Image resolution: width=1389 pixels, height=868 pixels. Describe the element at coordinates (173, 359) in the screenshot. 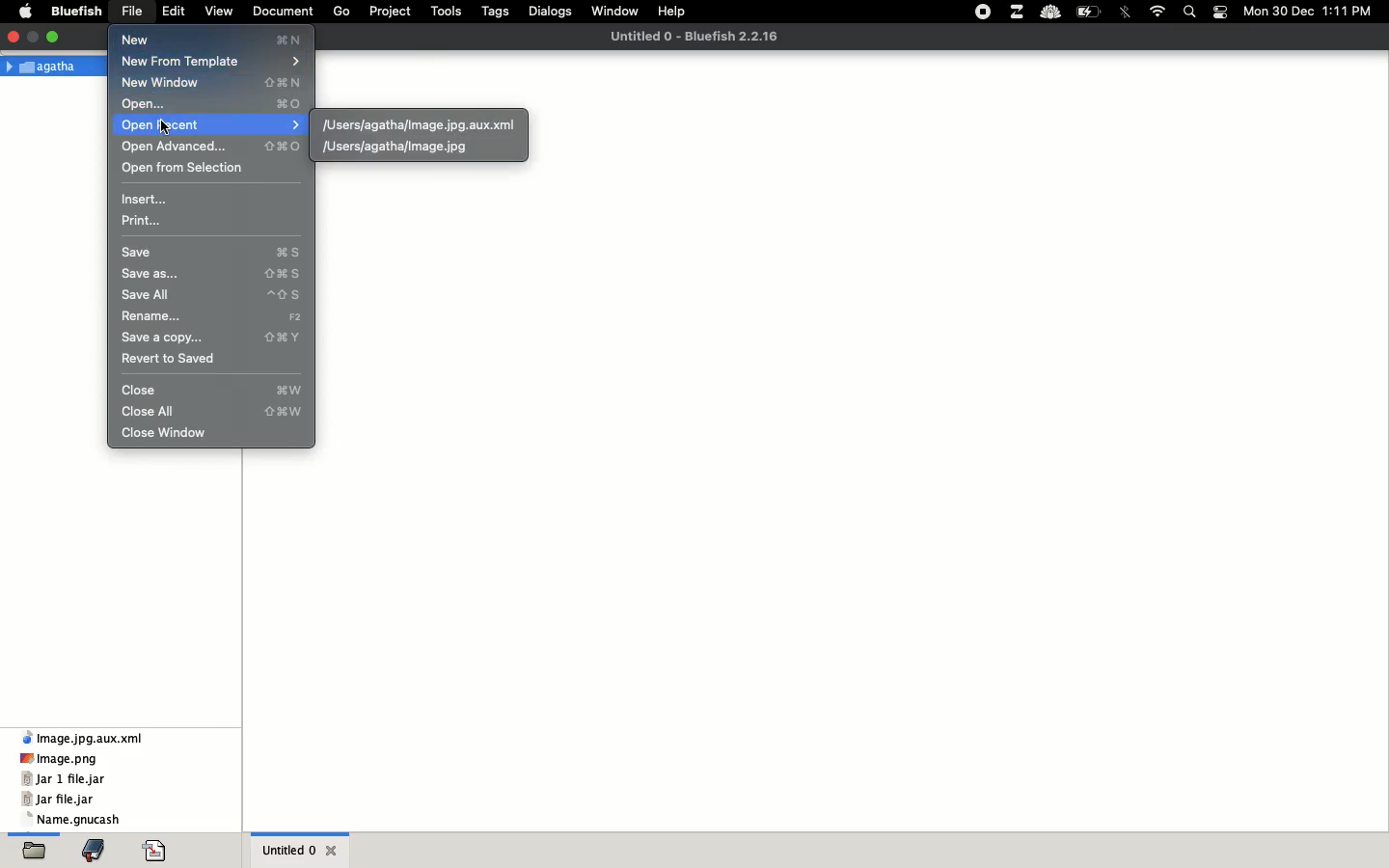

I see `revert to saved` at that location.